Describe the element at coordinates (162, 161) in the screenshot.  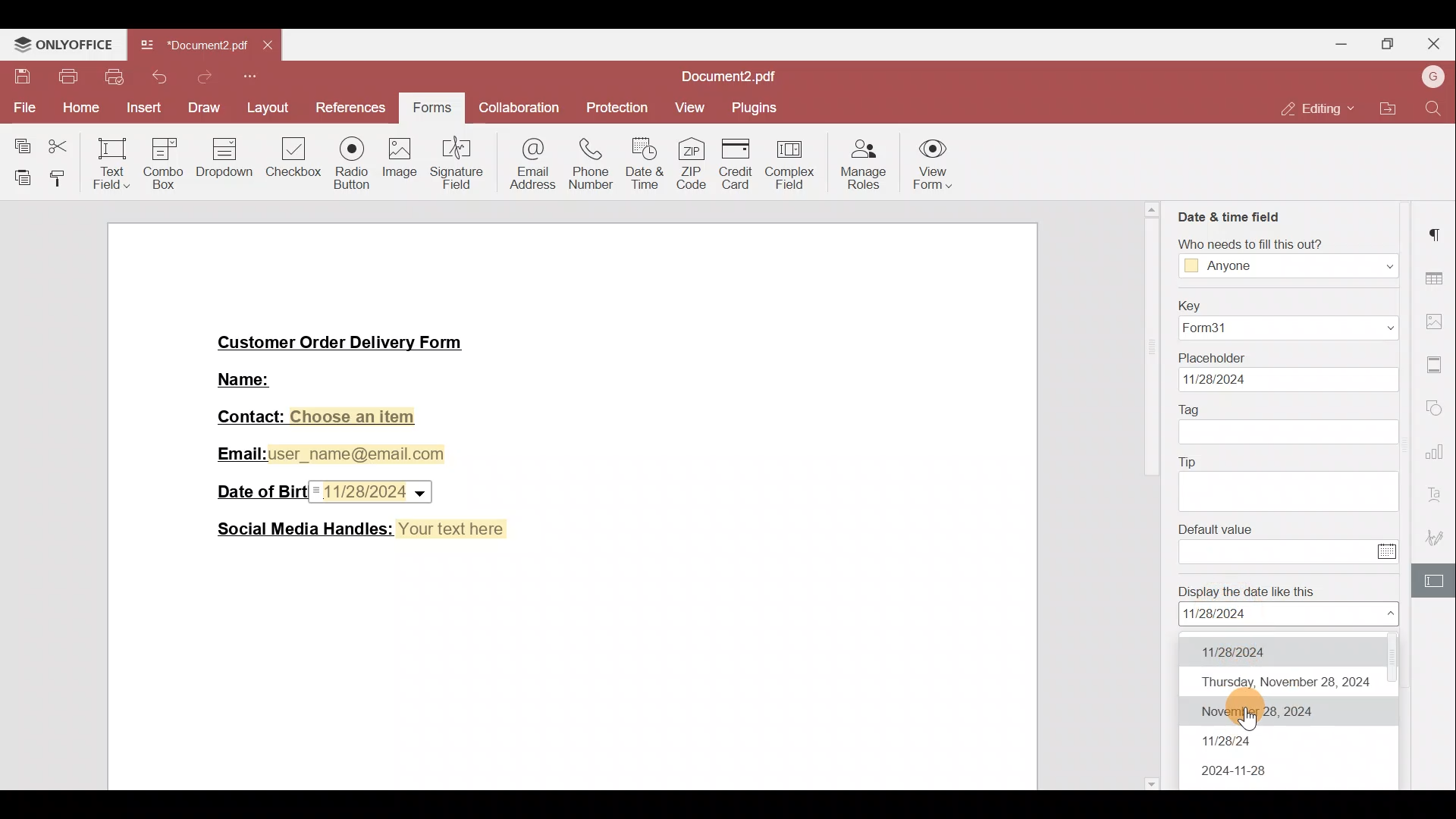
I see `Combo box` at that location.